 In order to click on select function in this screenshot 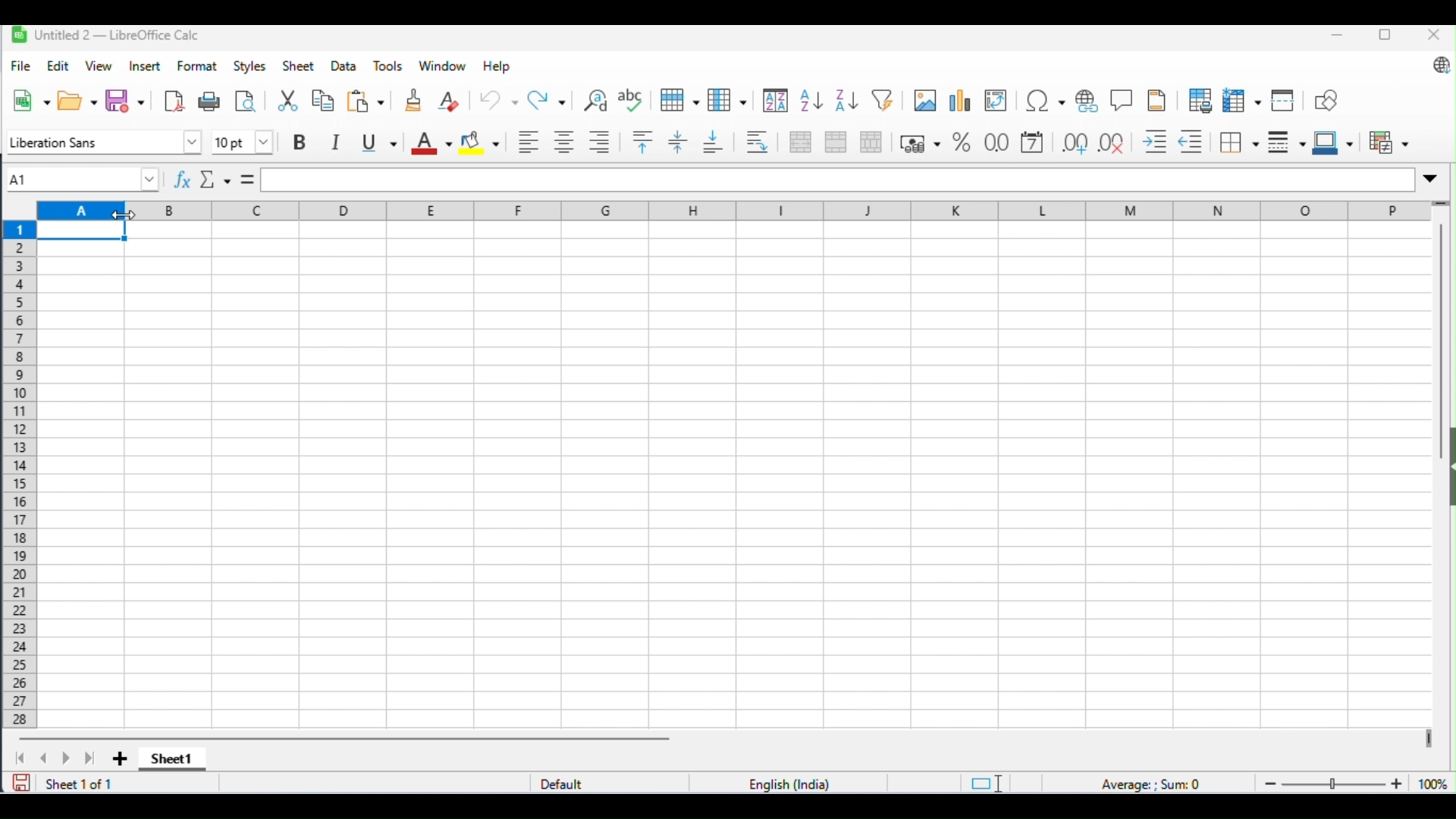, I will do `click(215, 178)`.